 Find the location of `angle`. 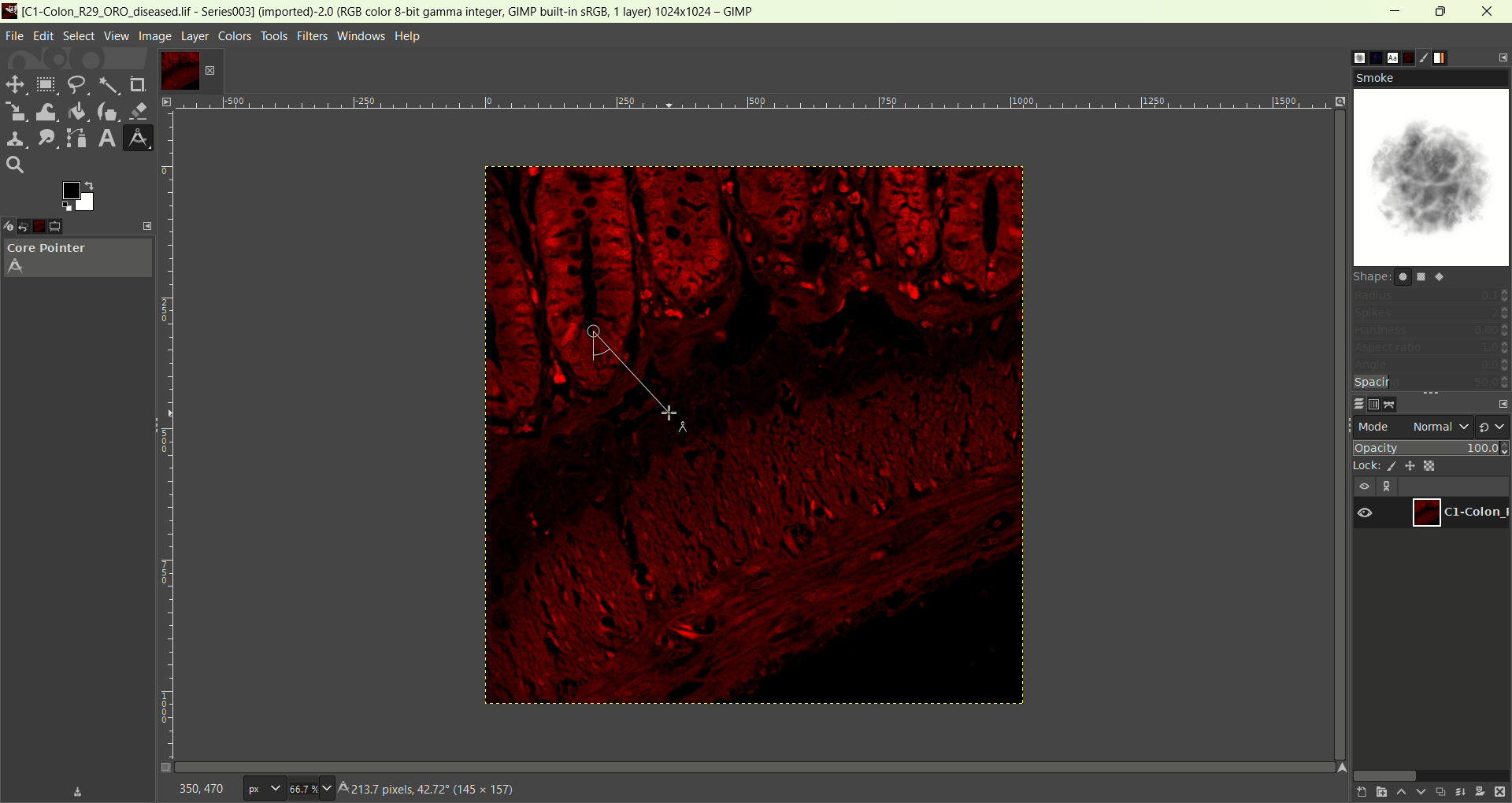

angle is located at coordinates (1431, 366).